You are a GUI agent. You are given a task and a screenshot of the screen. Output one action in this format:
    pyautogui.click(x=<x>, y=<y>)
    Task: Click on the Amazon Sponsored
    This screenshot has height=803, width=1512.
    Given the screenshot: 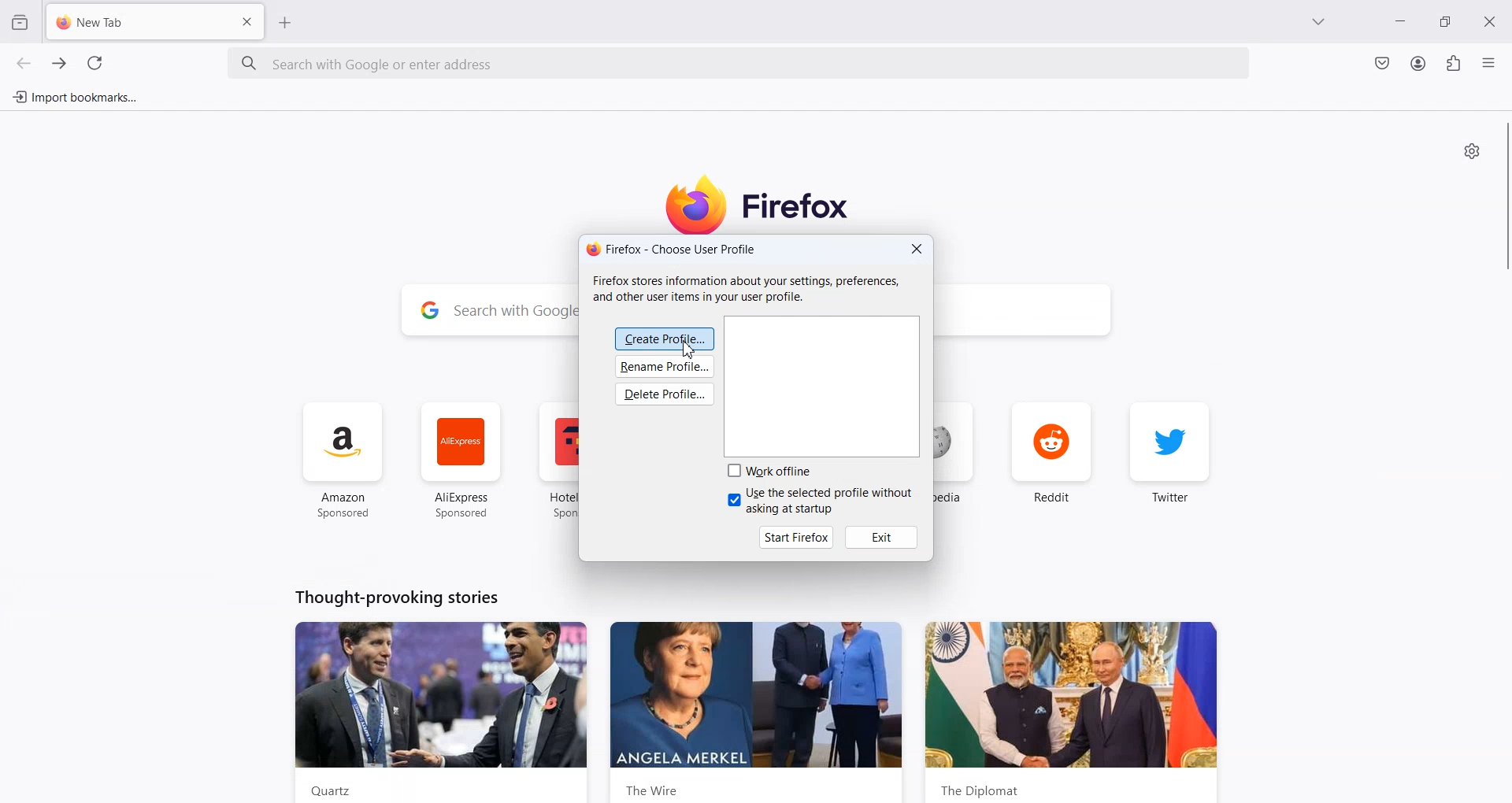 What is the action you would take?
    pyautogui.click(x=344, y=461)
    